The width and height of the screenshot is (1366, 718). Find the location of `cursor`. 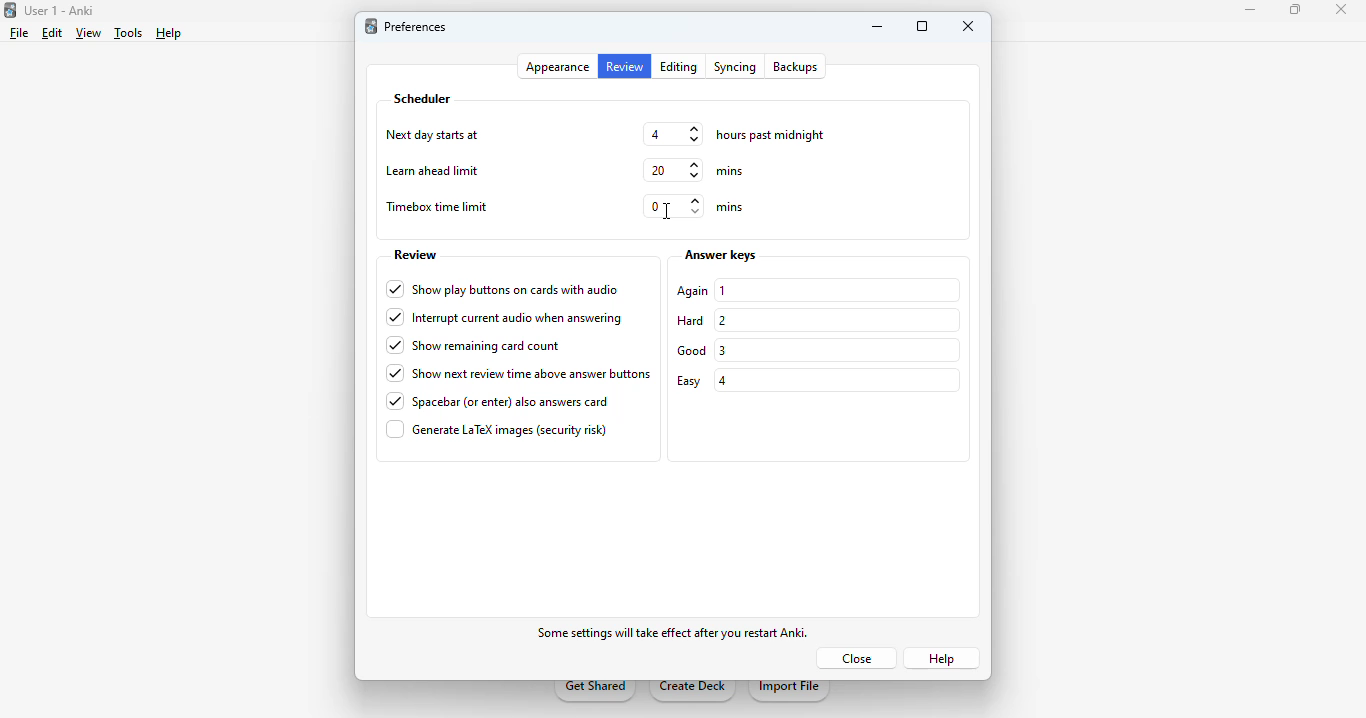

cursor is located at coordinates (668, 211).